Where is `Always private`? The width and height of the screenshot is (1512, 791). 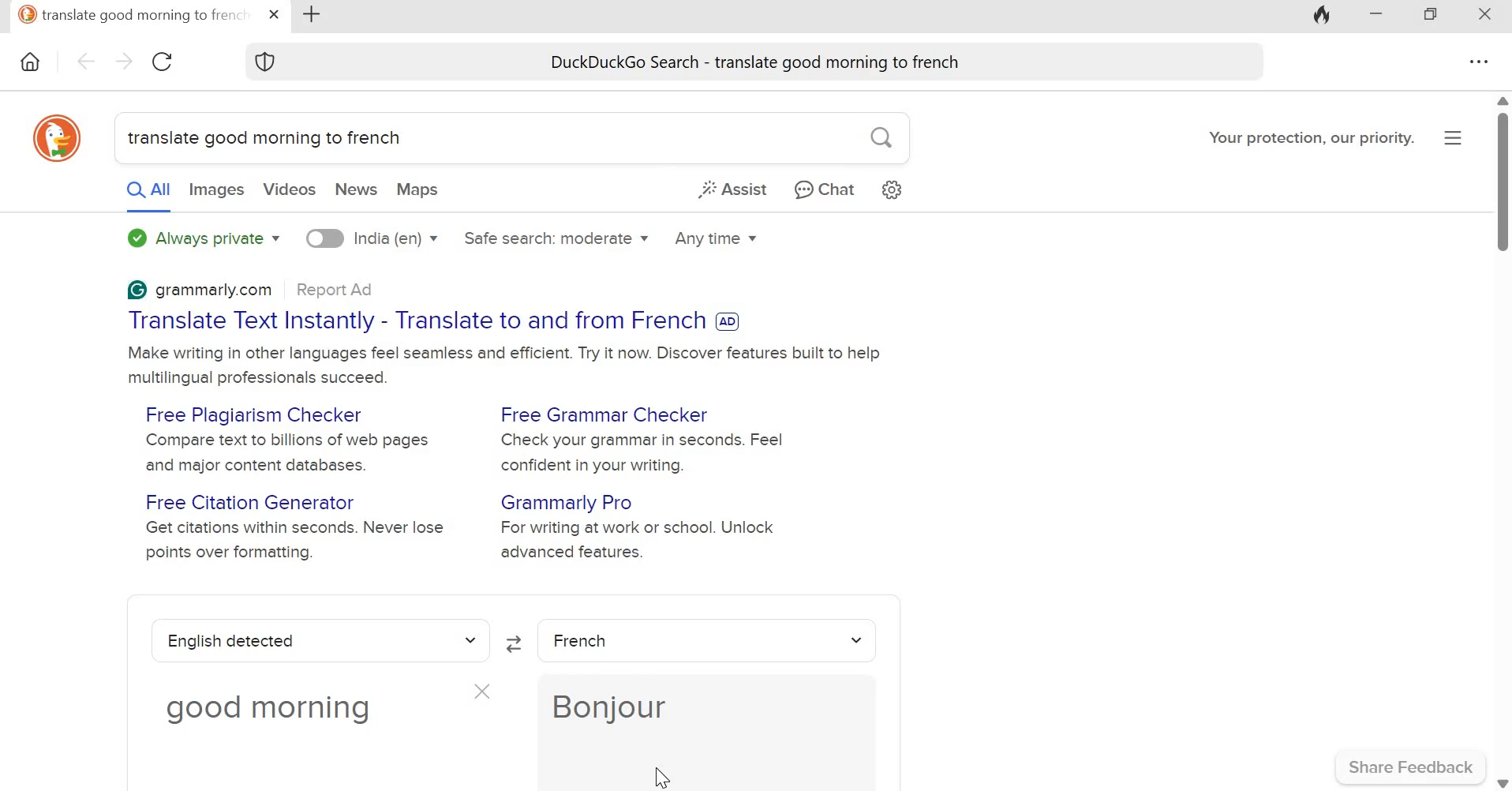 Always private is located at coordinates (209, 236).